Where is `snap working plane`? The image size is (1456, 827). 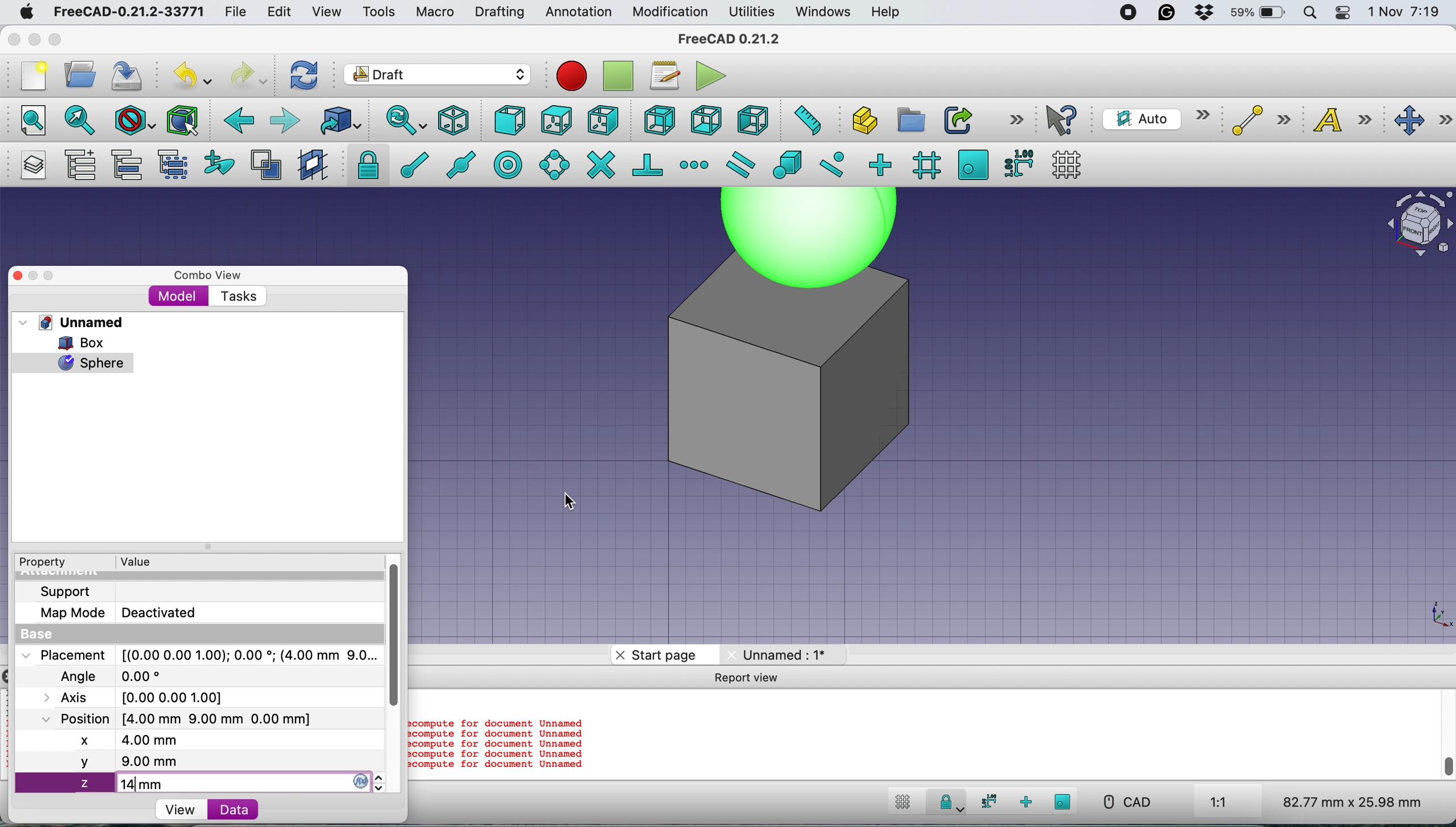
snap working plane is located at coordinates (1063, 801).